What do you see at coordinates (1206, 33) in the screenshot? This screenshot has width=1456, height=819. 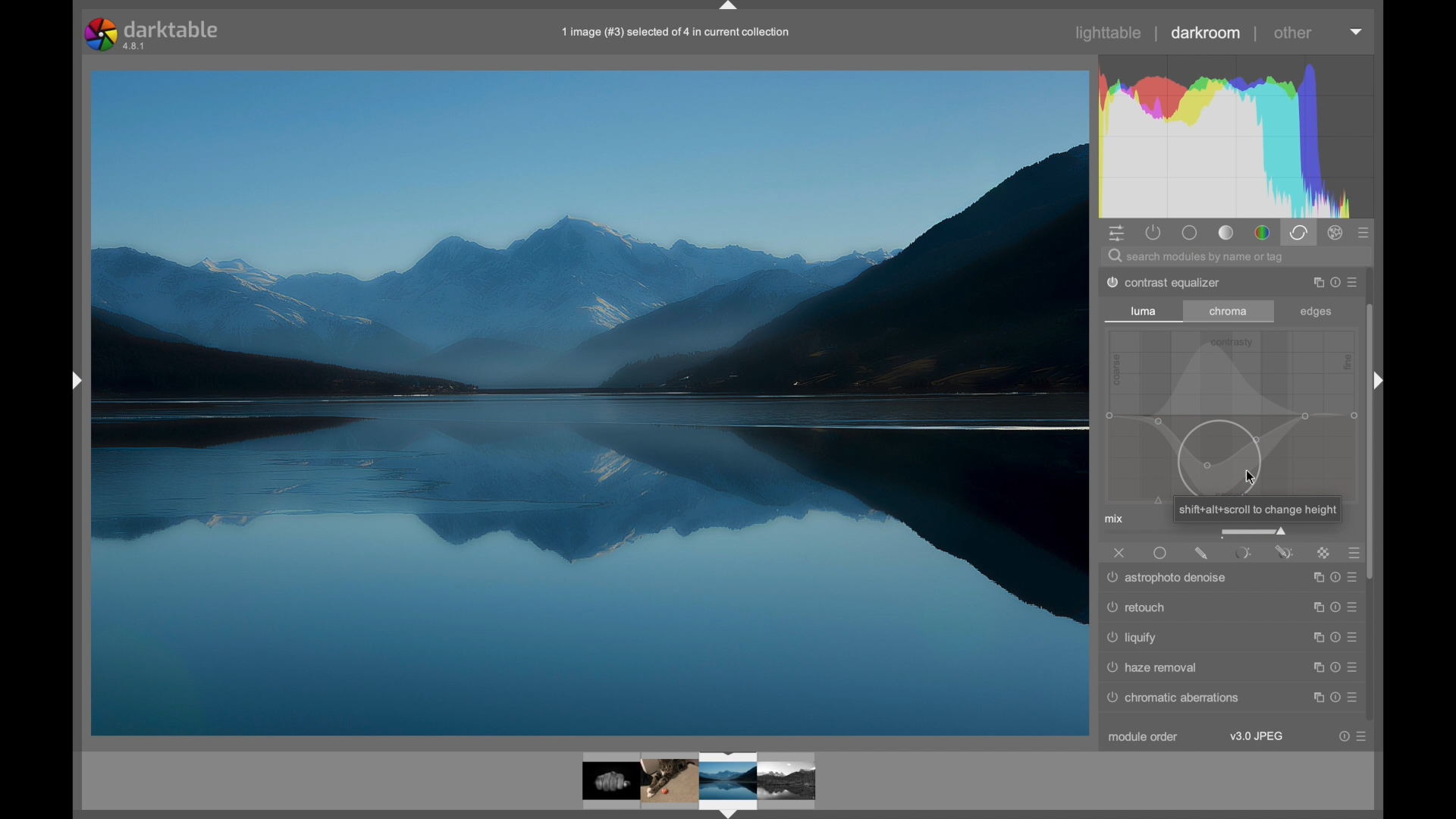 I see `darkroom` at bounding box center [1206, 33].